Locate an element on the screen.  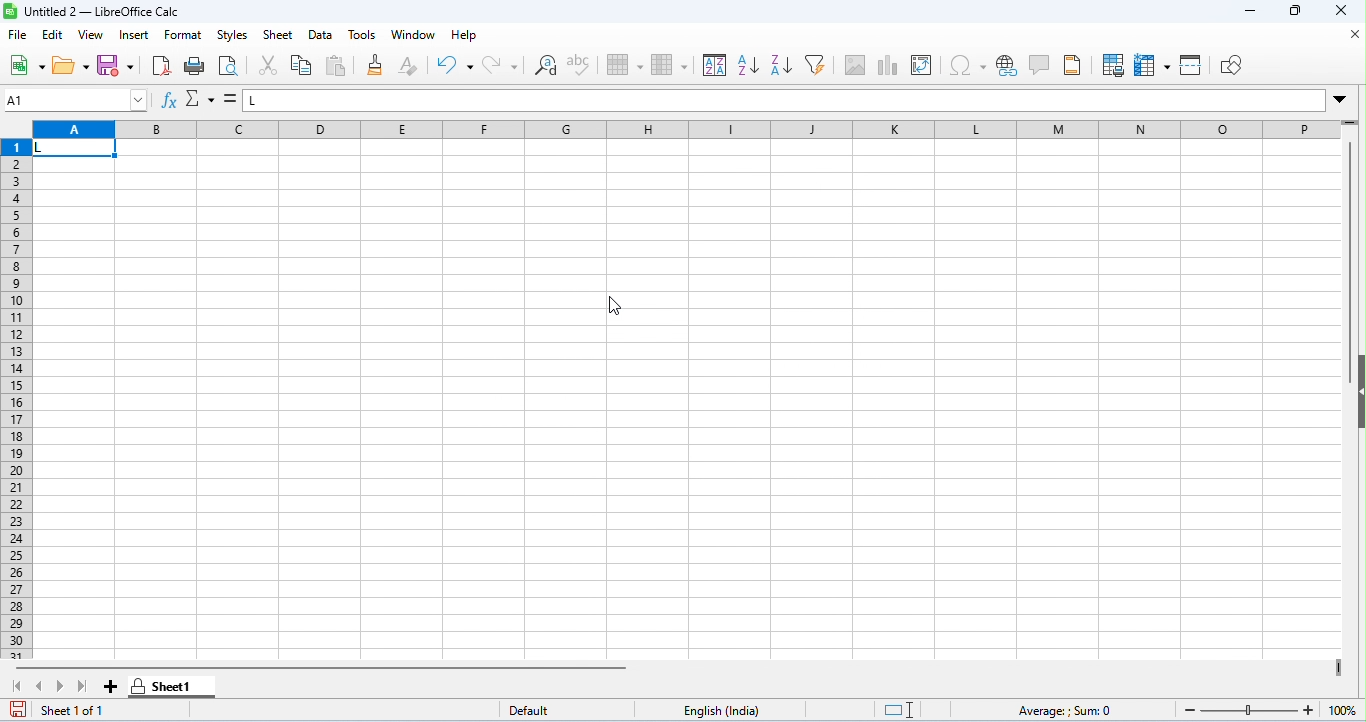
row numbers is located at coordinates (18, 399).